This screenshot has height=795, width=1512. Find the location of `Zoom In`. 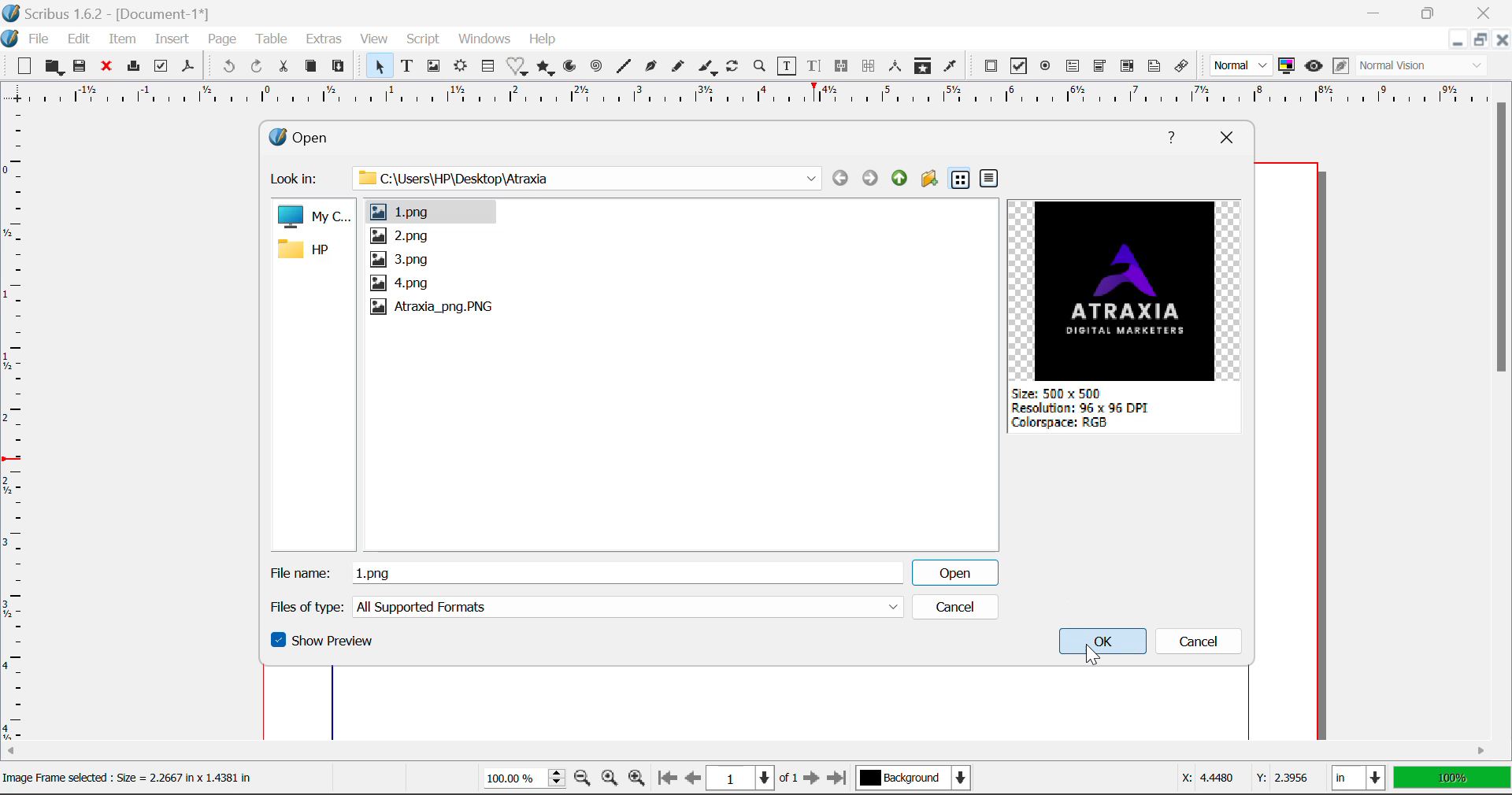

Zoom In is located at coordinates (637, 779).